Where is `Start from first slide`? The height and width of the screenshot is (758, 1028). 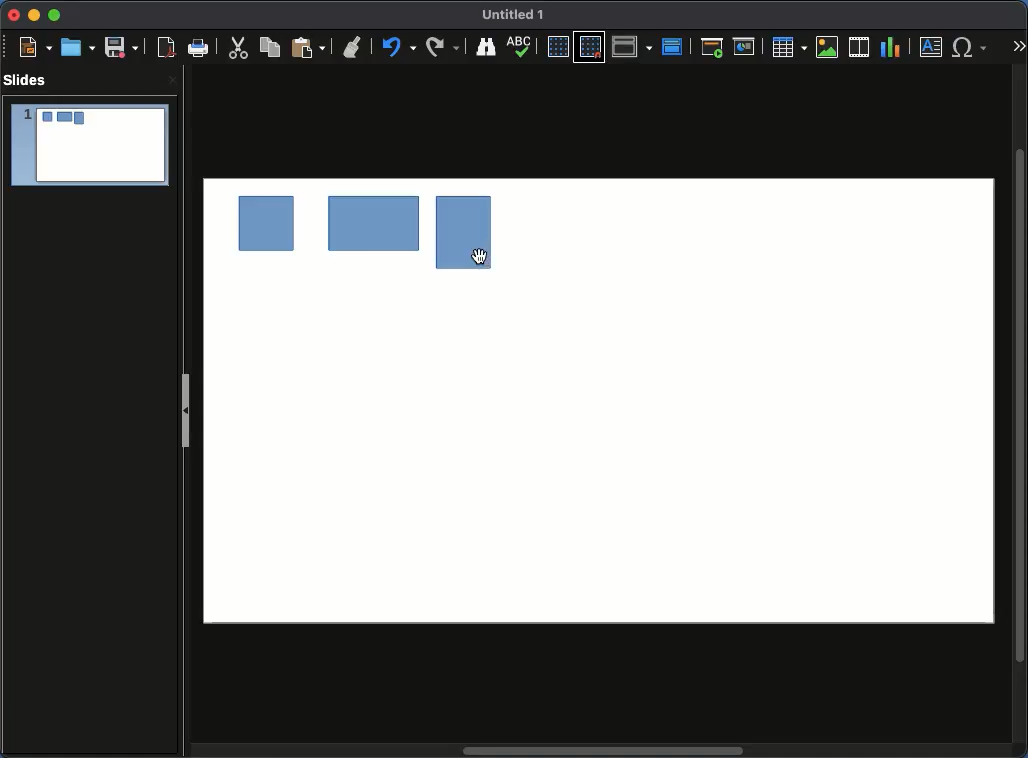 Start from first slide is located at coordinates (711, 49).